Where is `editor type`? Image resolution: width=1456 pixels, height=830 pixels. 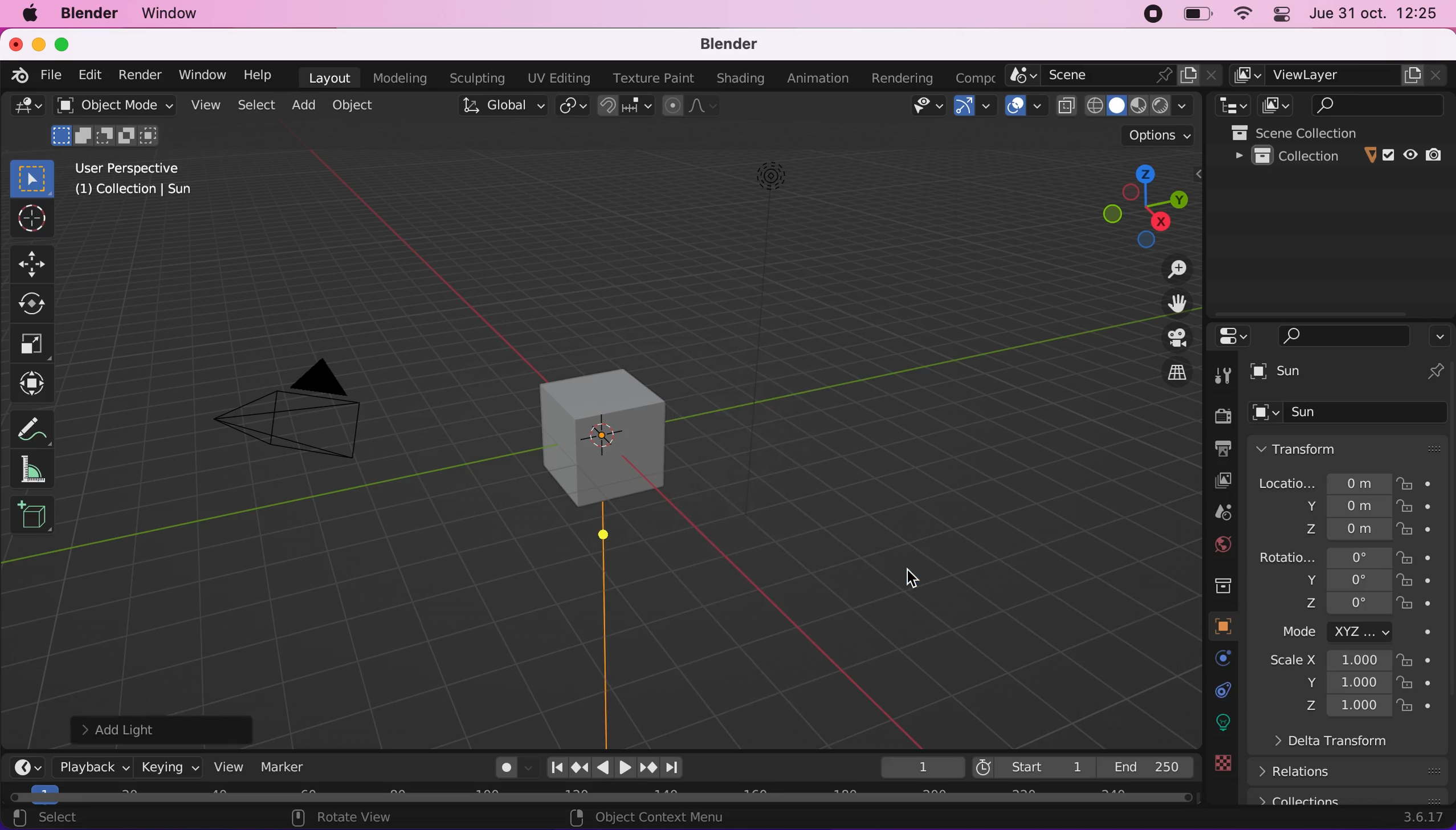 editor type is located at coordinates (25, 111).